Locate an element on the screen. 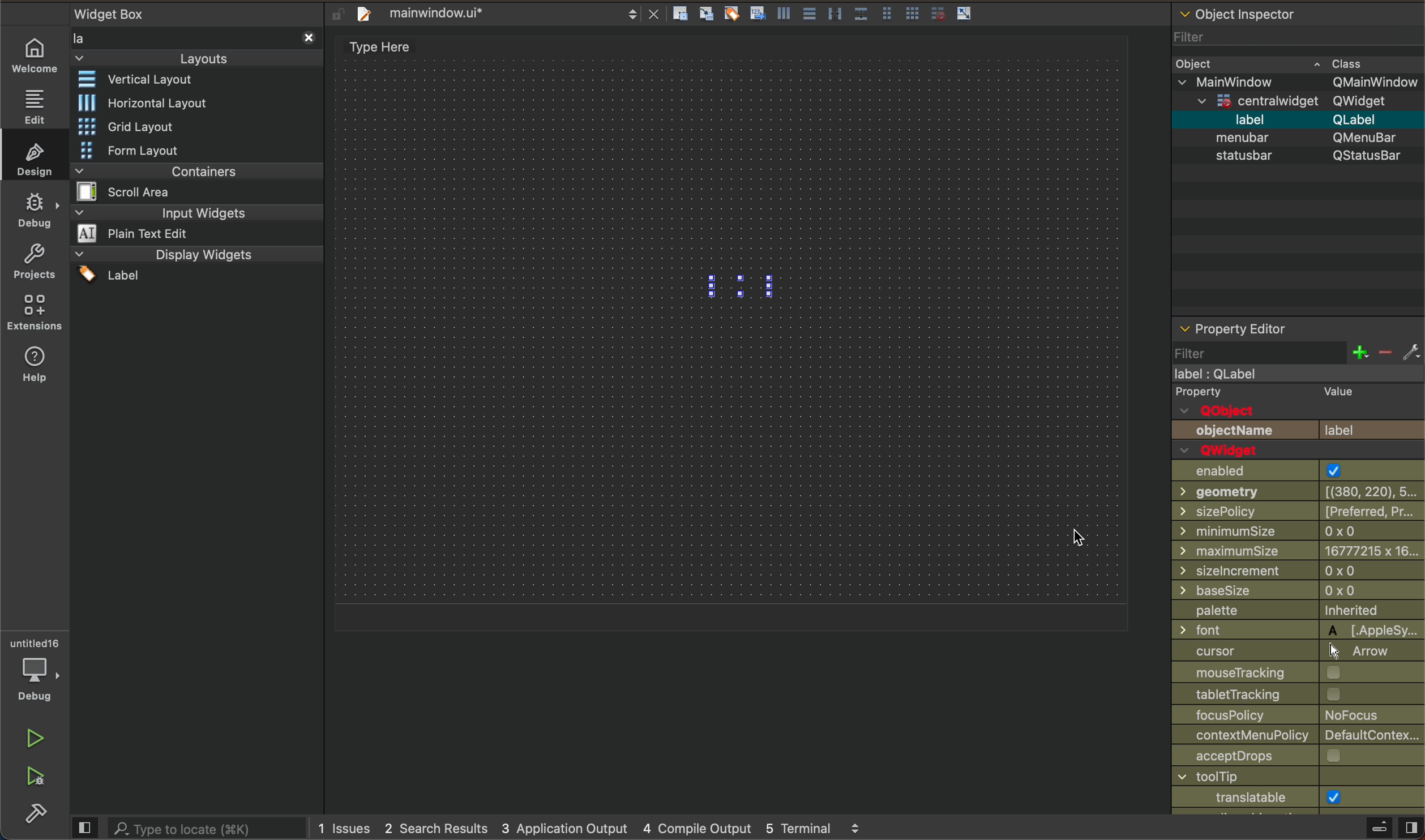 The height and width of the screenshot is (840, 1425). size policy is located at coordinates (1299, 512).